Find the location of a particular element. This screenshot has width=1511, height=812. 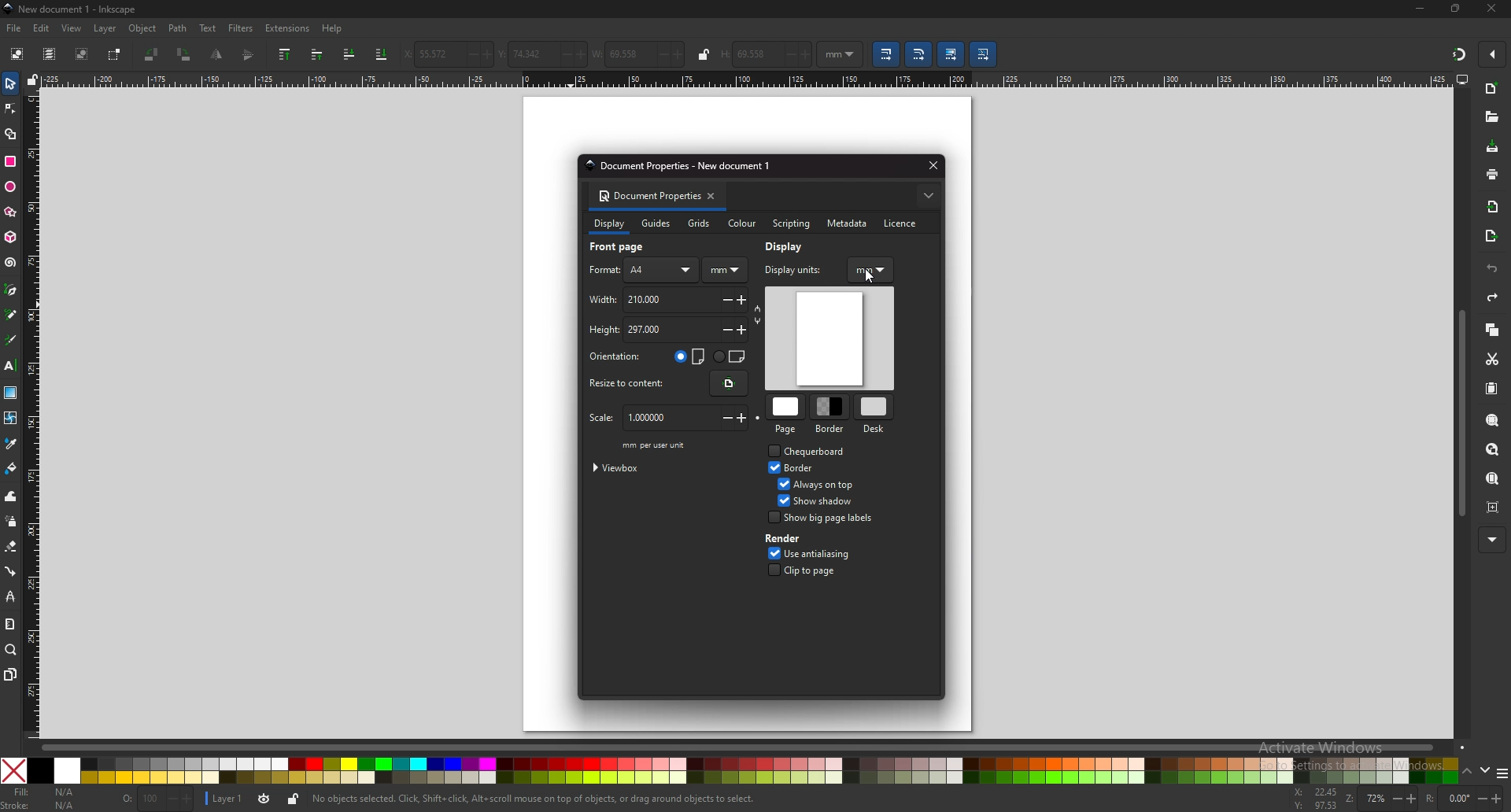

zoom centre page is located at coordinates (1494, 507).